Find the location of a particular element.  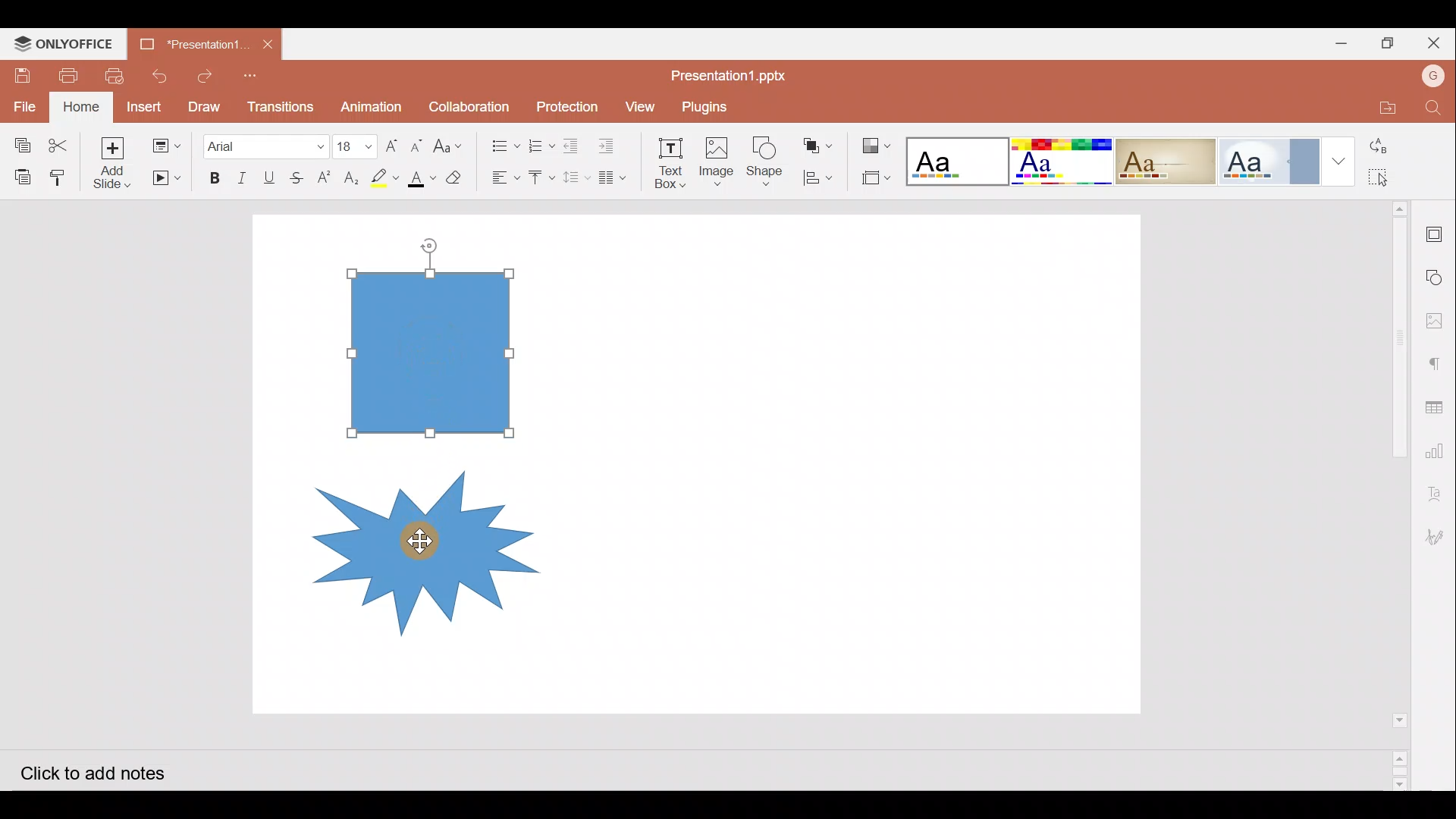

Basic is located at coordinates (1060, 162).